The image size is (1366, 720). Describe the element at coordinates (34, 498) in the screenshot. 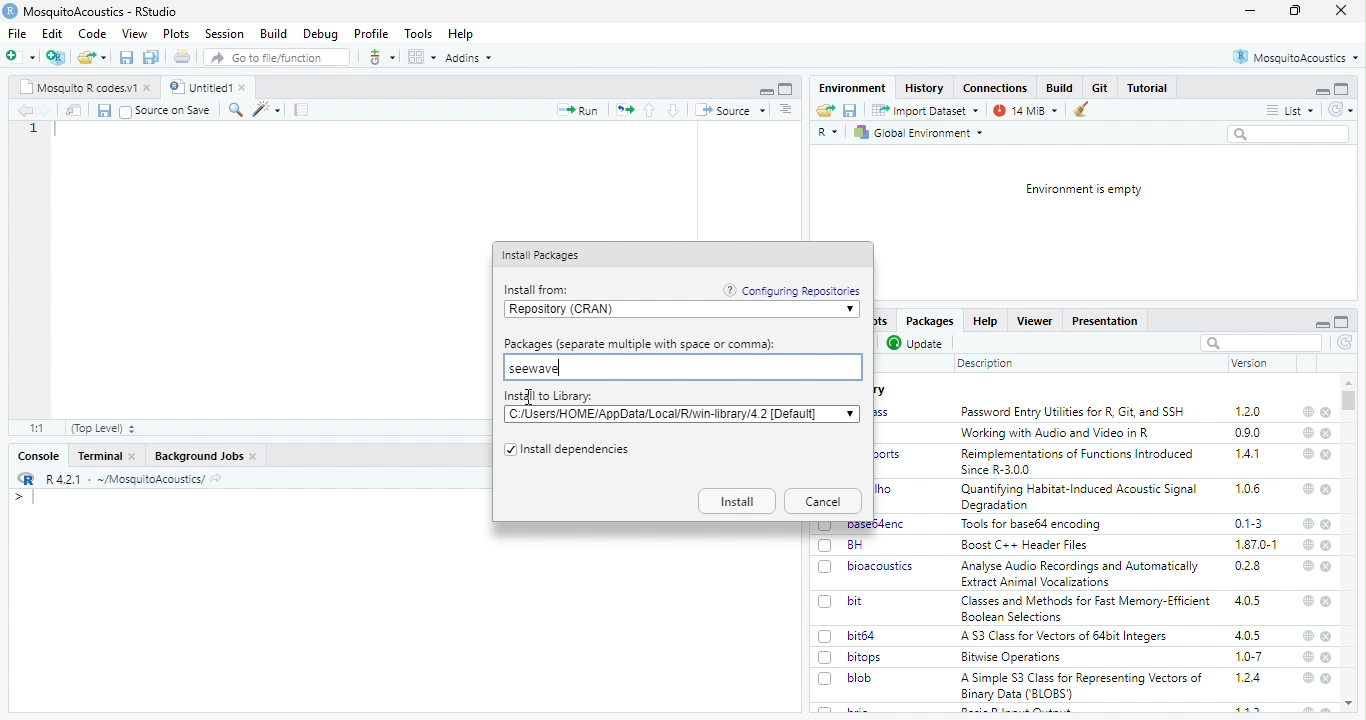

I see `typing indicator` at that location.